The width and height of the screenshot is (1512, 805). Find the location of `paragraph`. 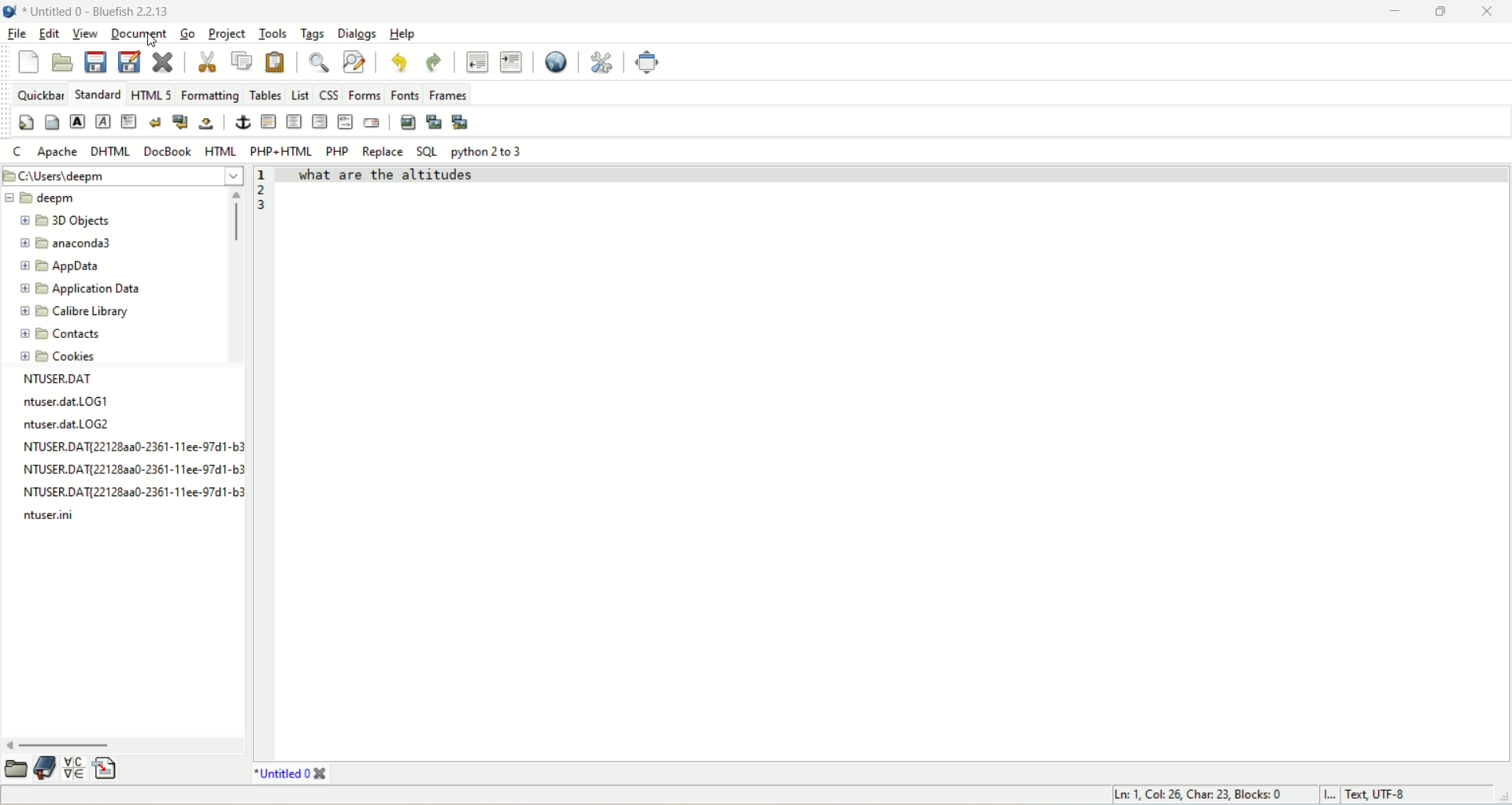

paragraph is located at coordinates (128, 121).